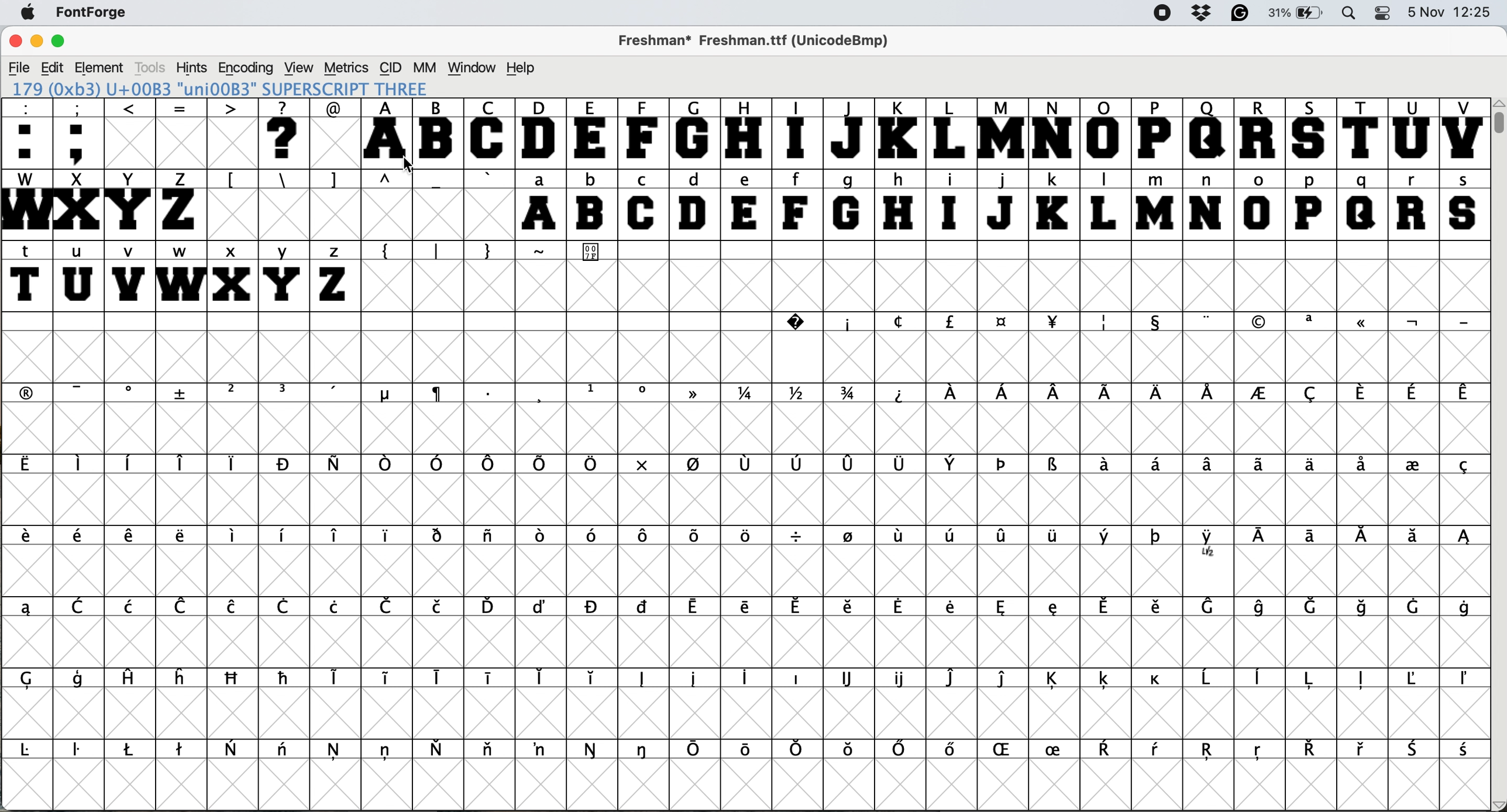 This screenshot has width=1507, height=812. Describe the element at coordinates (1210, 753) in the screenshot. I see `symbol` at that location.